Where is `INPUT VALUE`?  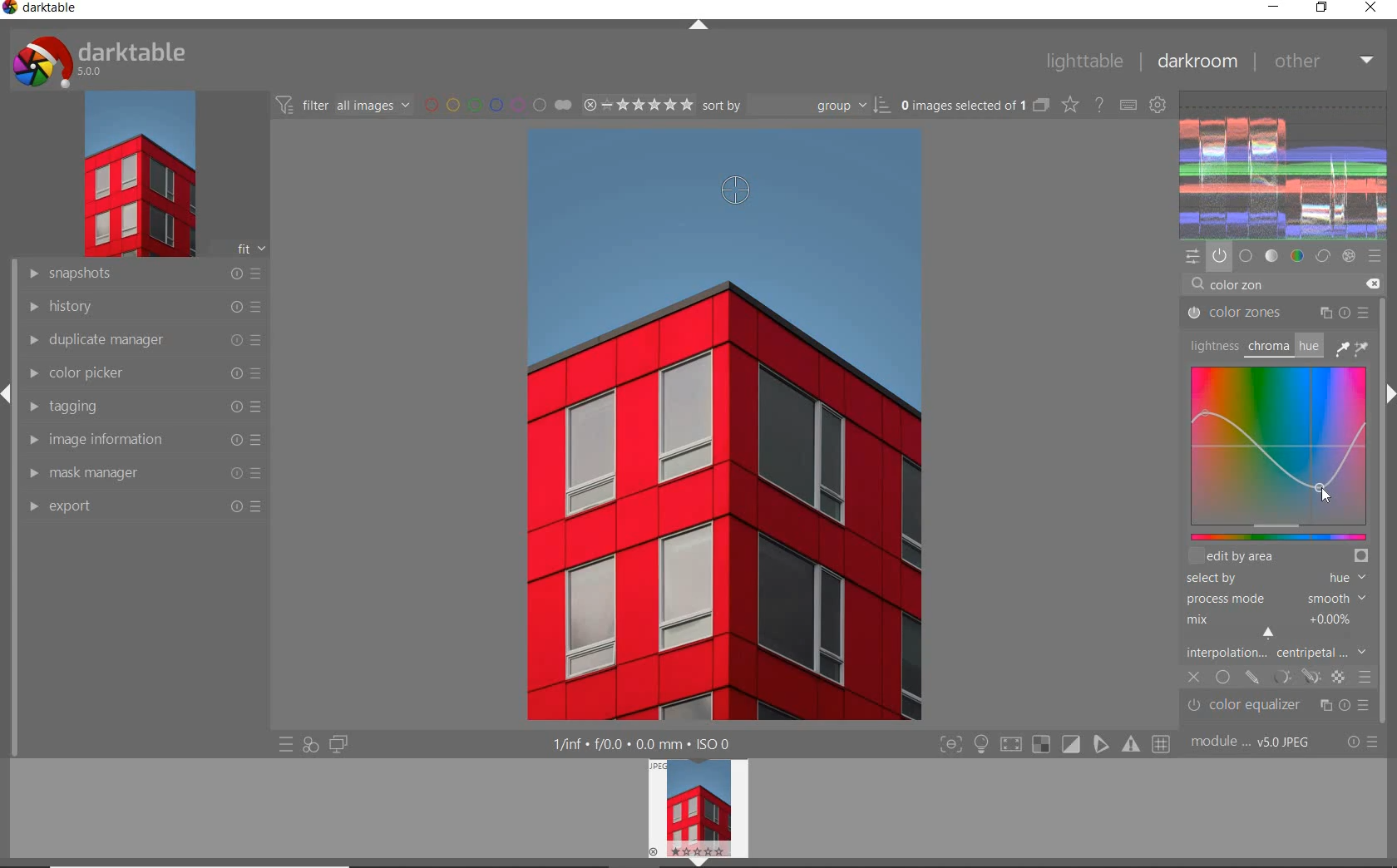 INPUT VALUE is located at coordinates (1231, 284).